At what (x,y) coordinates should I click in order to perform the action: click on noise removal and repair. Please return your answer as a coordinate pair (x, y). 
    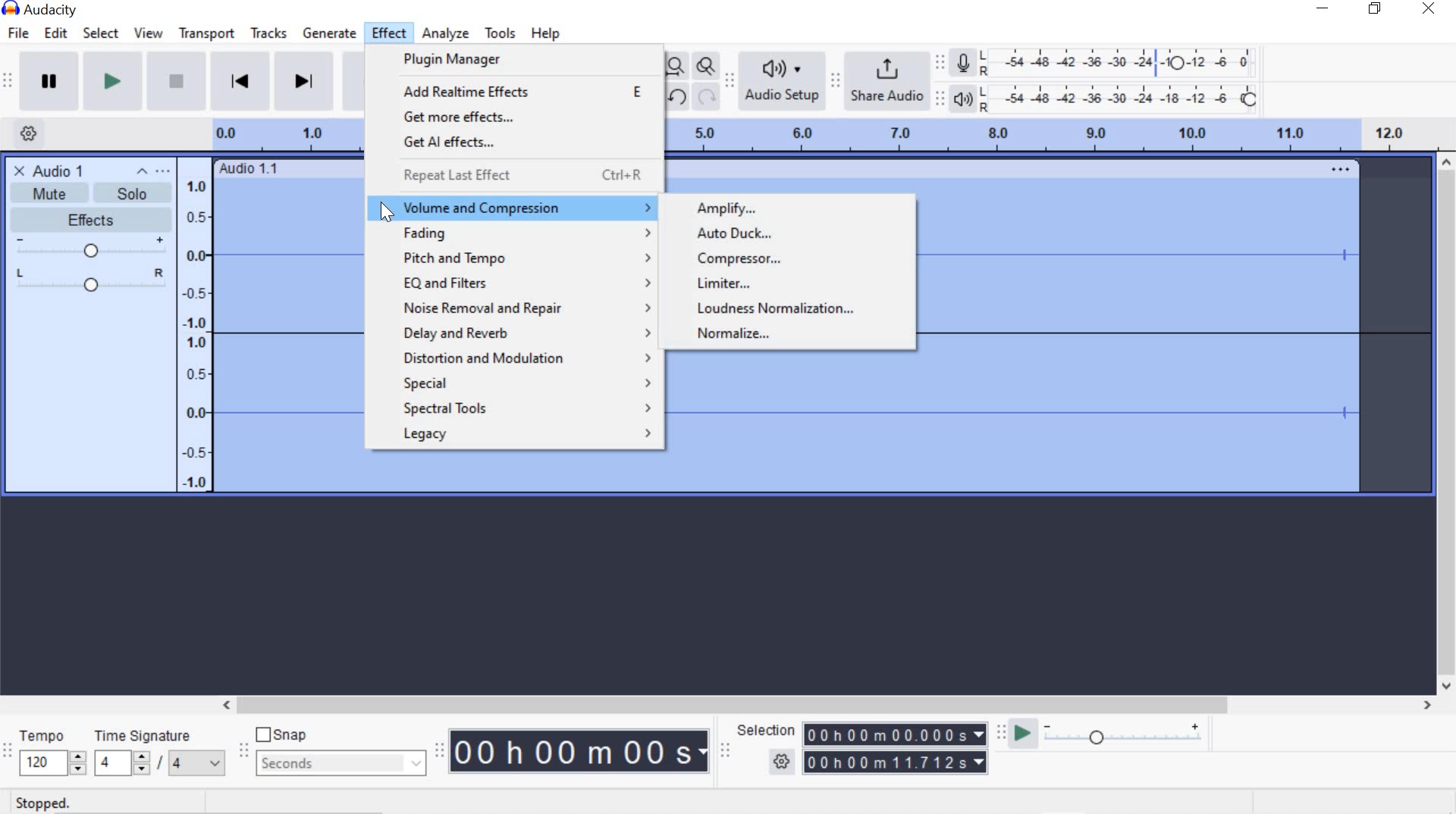
    Looking at the image, I should click on (530, 309).